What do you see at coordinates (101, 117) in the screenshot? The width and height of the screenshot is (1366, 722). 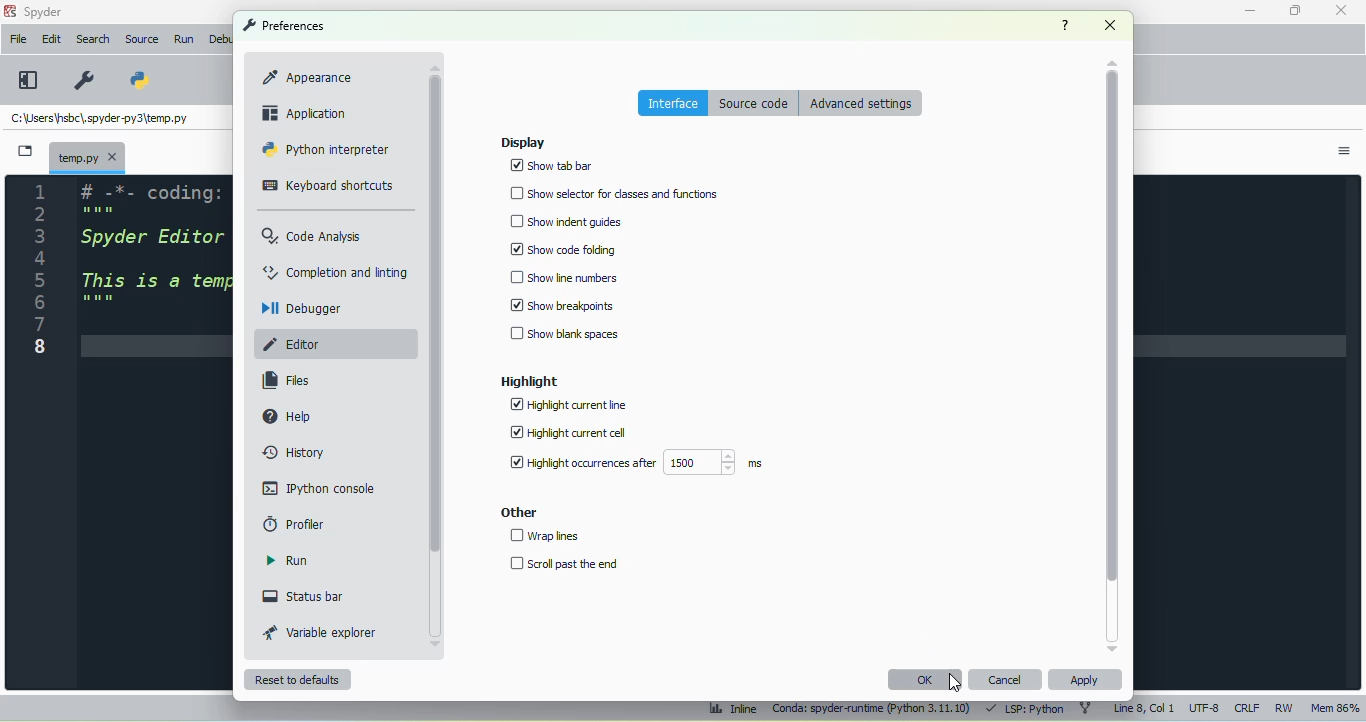 I see `temporary file` at bounding box center [101, 117].